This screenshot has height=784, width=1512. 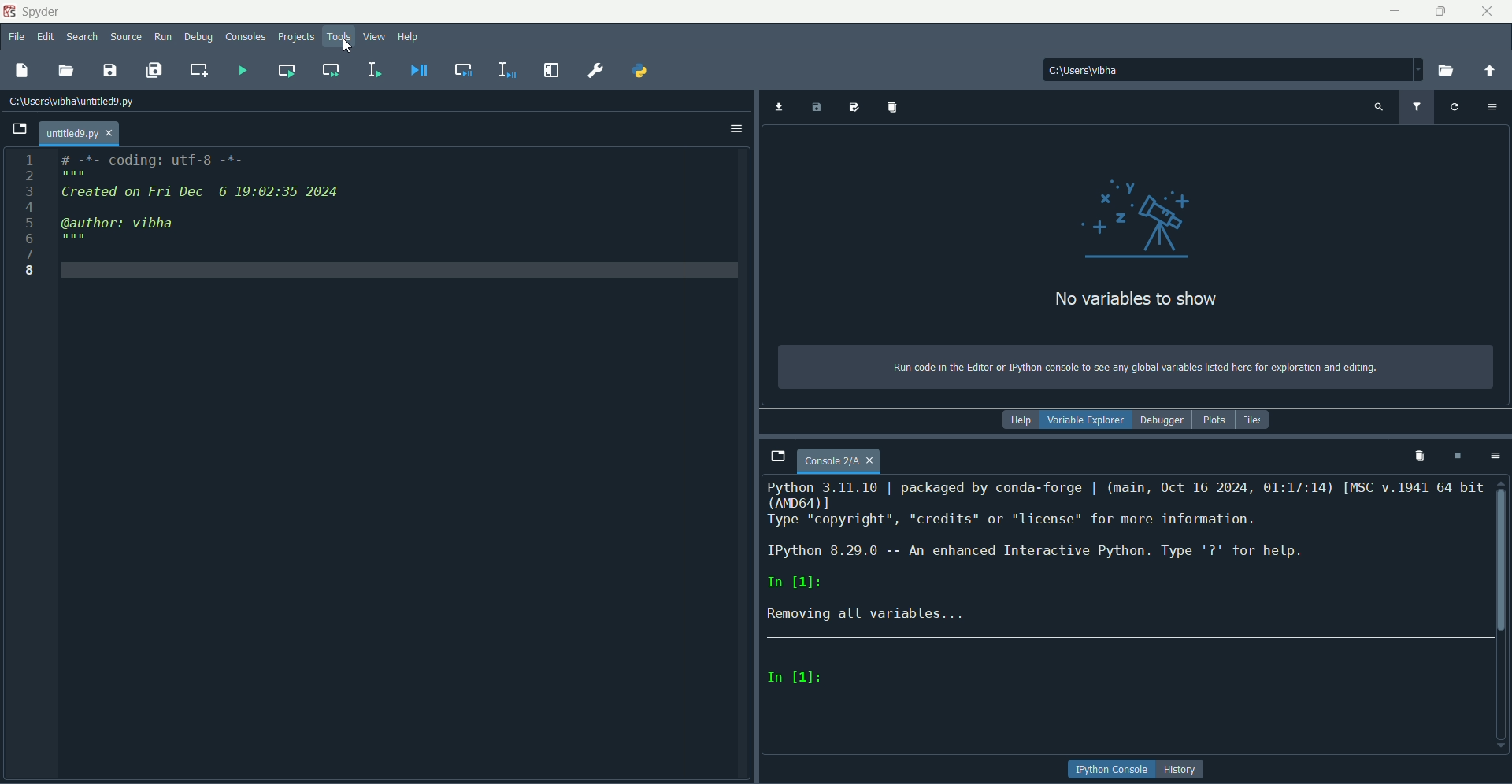 What do you see at coordinates (1495, 105) in the screenshot?
I see `options` at bounding box center [1495, 105].